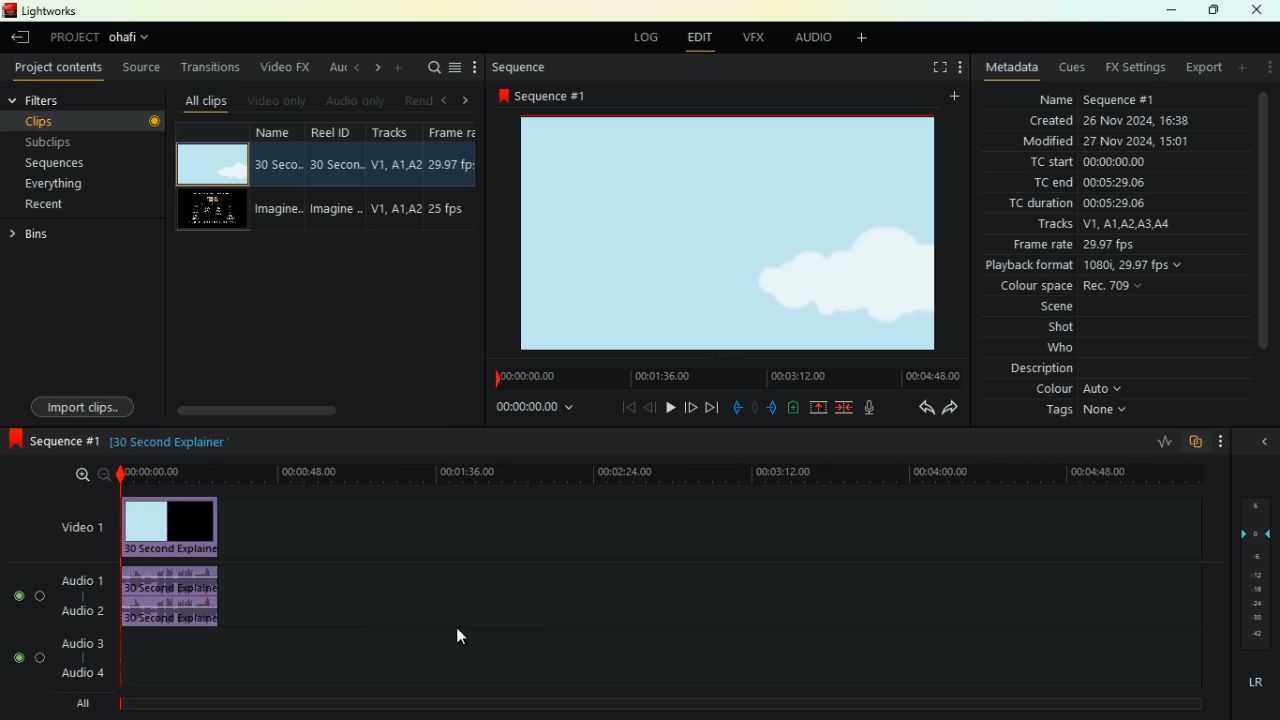 This screenshot has height=720, width=1280. I want to click on tc end 00:05:29:06, so click(1093, 182).